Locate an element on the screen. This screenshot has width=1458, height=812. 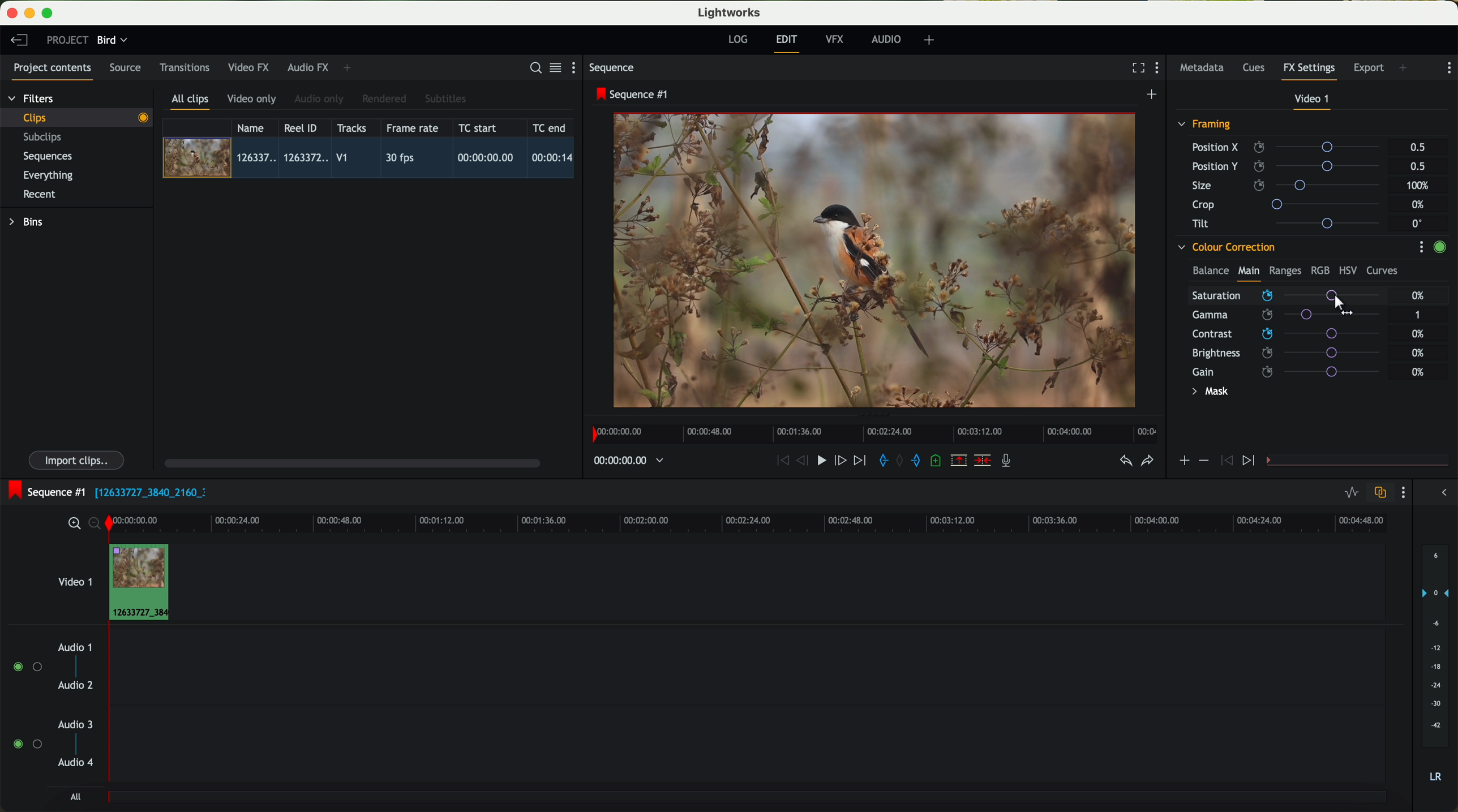
enable audio is located at coordinates (27, 744).